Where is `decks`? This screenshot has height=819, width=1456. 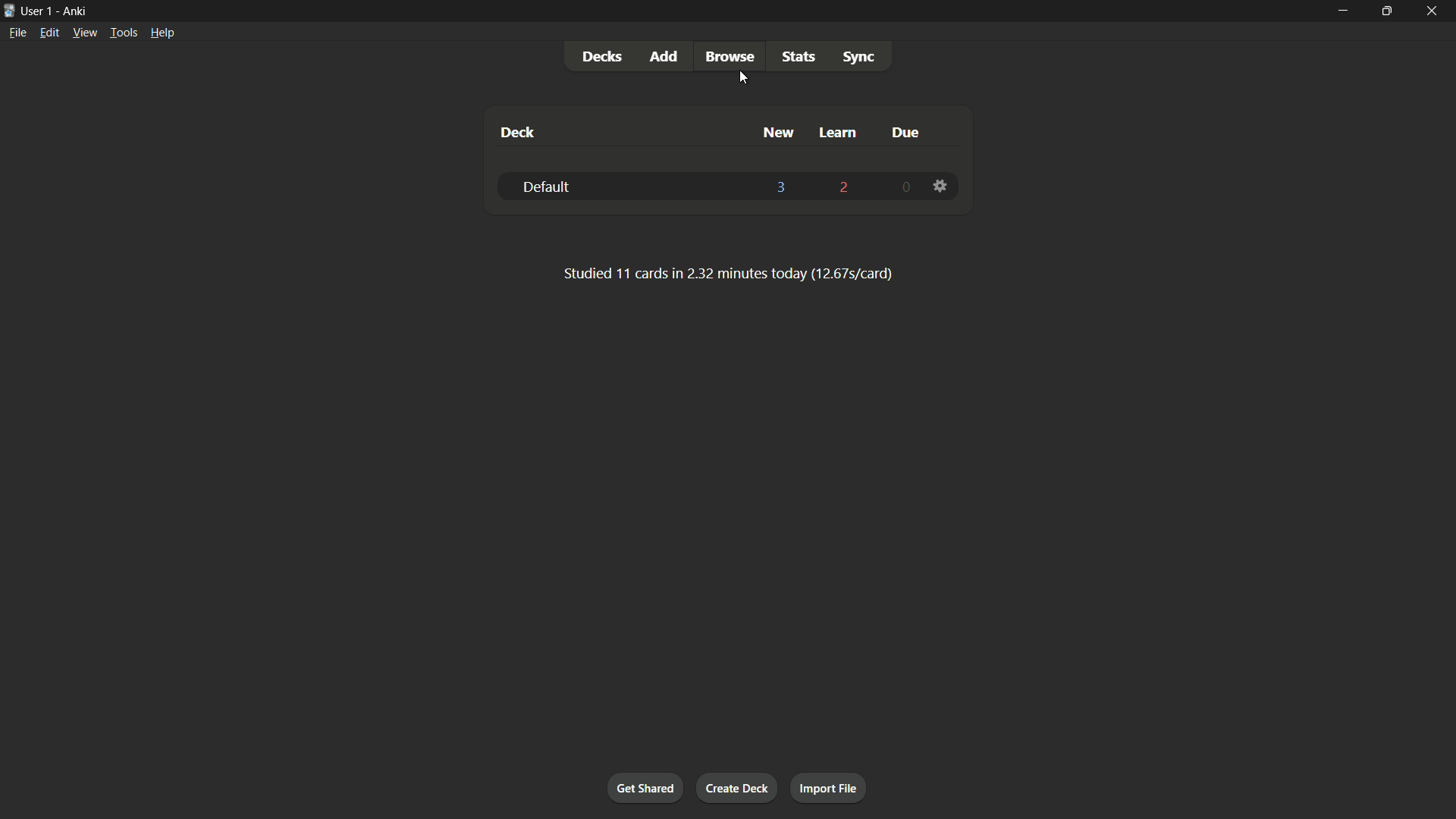
decks is located at coordinates (607, 55).